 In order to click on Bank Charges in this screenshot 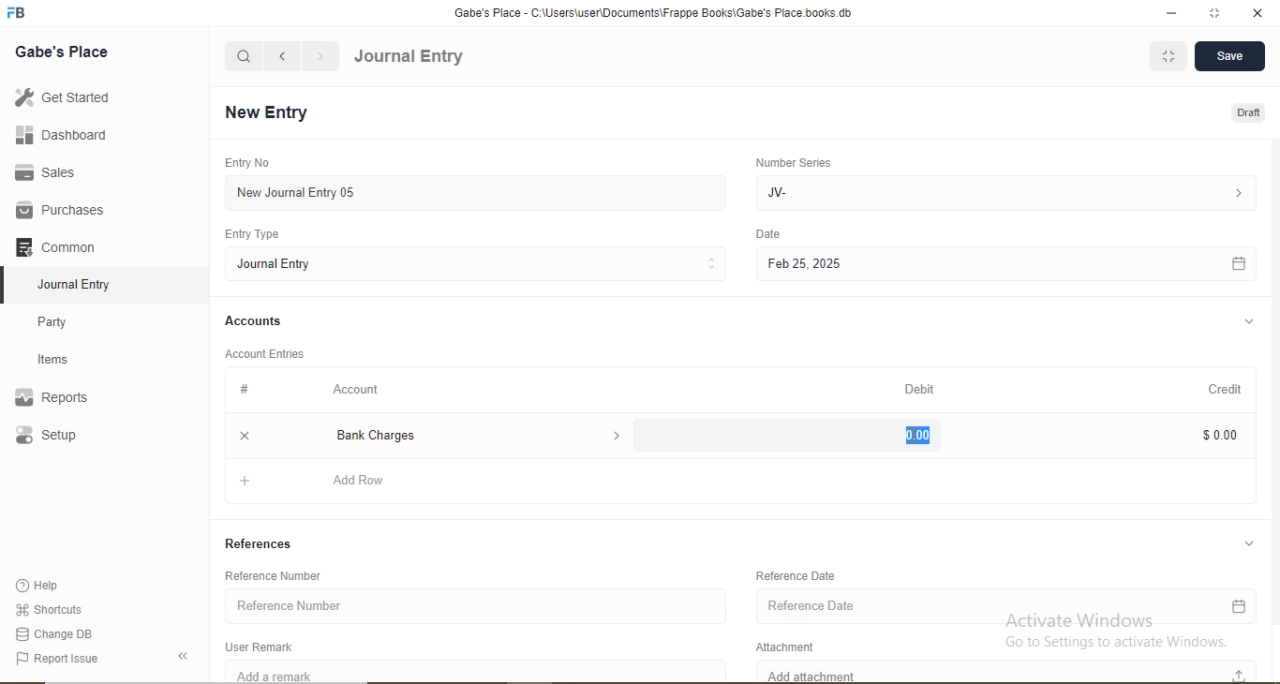, I will do `click(476, 435)`.